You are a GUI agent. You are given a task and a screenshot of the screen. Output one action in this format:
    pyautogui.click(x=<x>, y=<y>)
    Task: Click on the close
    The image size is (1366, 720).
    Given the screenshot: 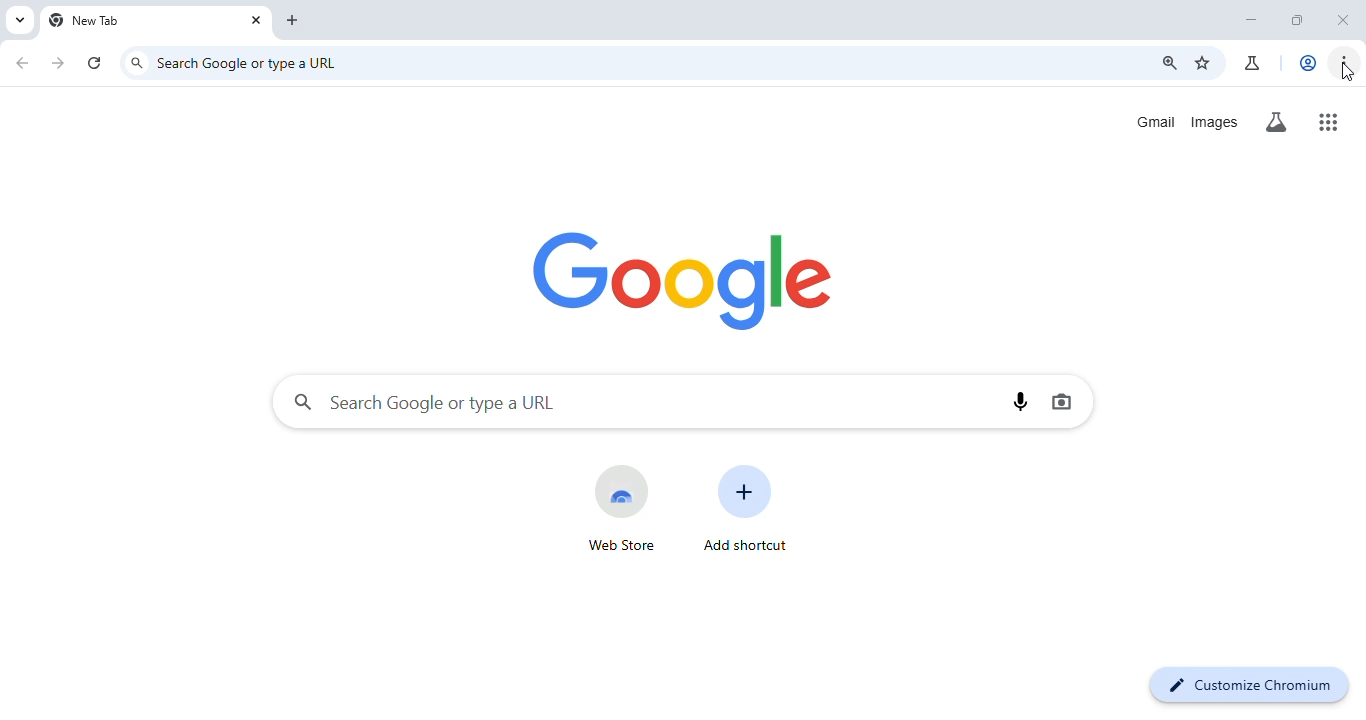 What is the action you would take?
    pyautogui.click(x=1343, y=21)
    